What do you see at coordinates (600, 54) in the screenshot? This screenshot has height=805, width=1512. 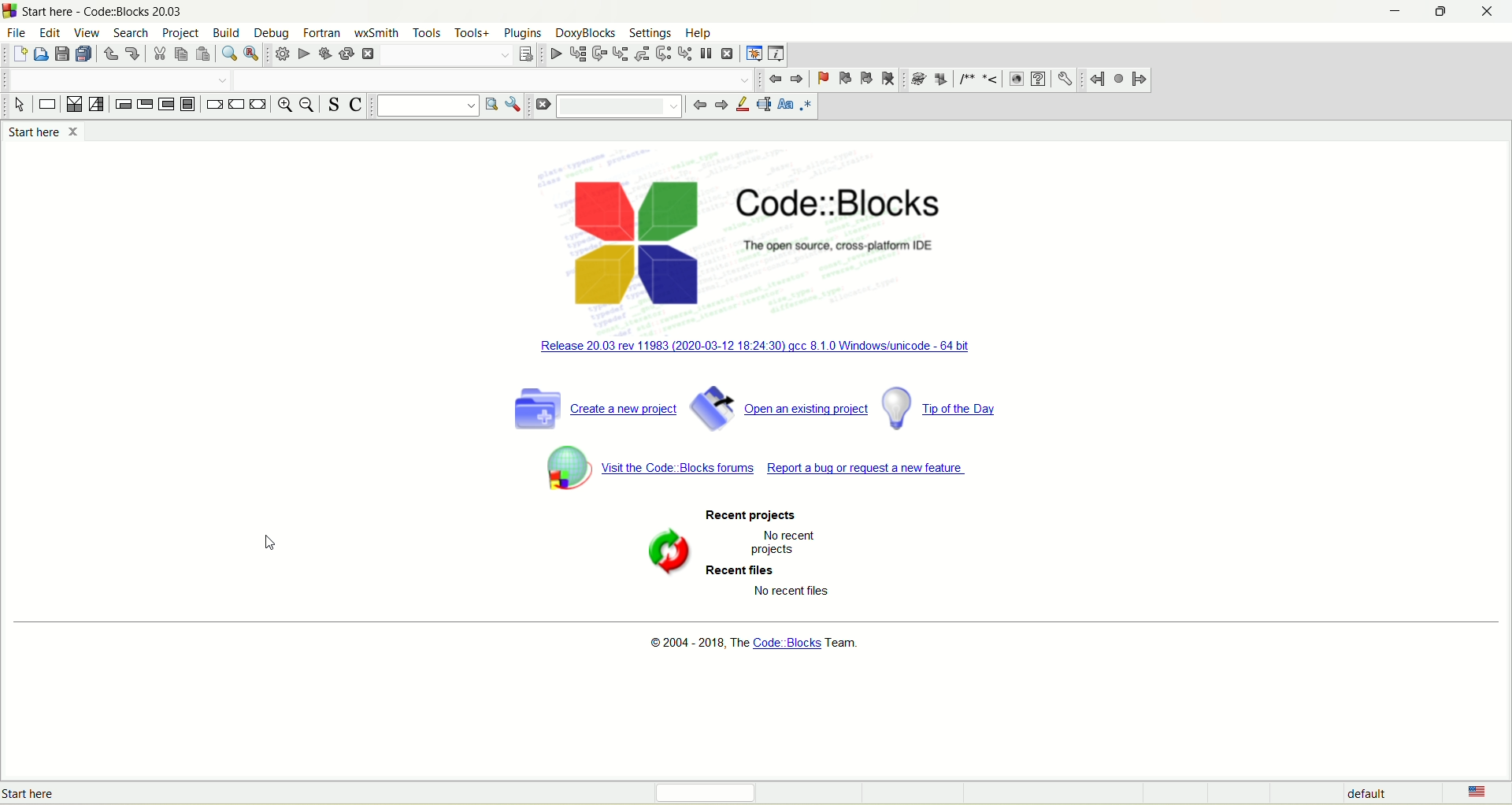 I see `next line` at bounding box center [600, 54].